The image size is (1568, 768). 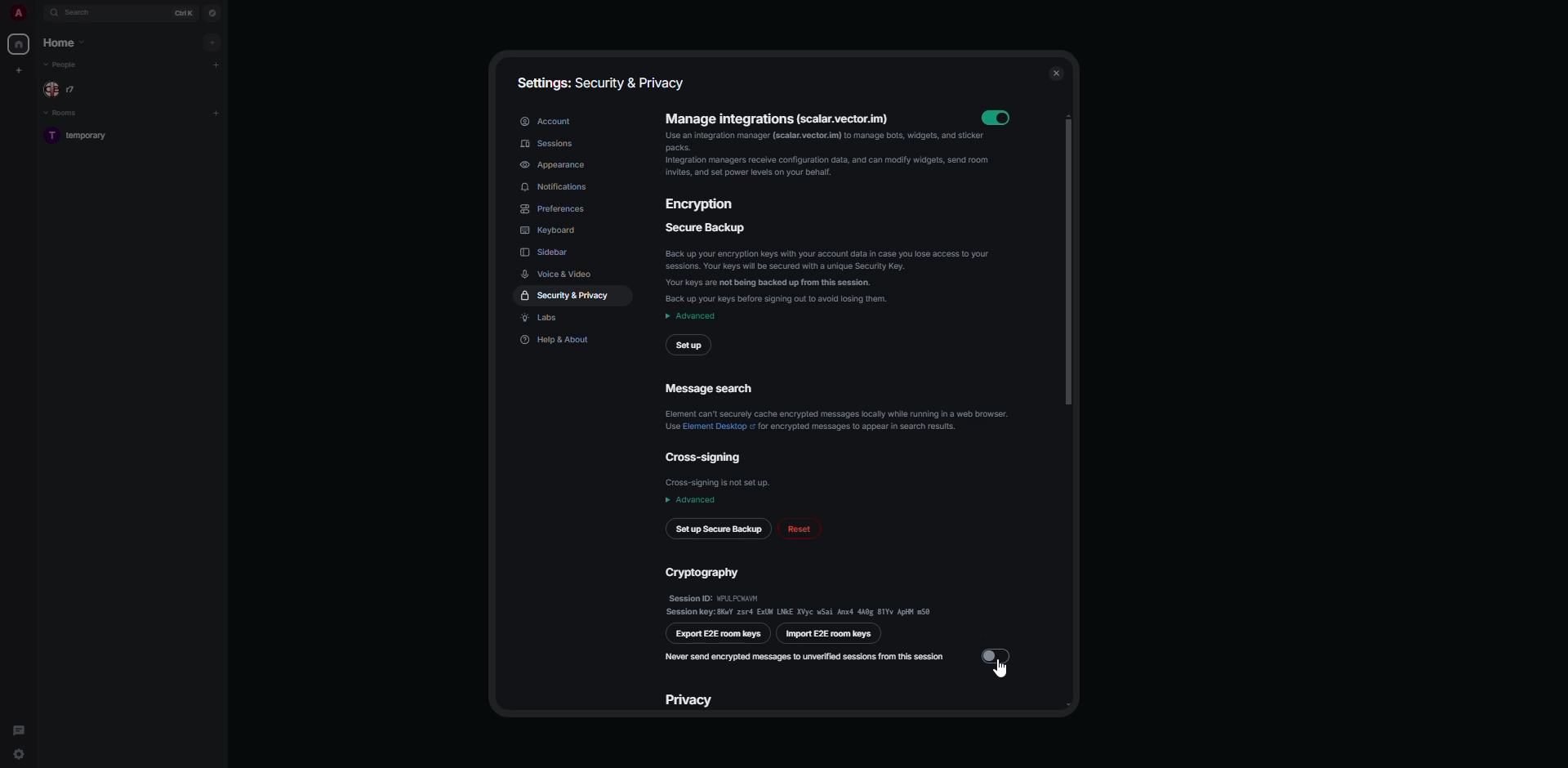 I want to click on ctrl K, so click(x=185, y=11).